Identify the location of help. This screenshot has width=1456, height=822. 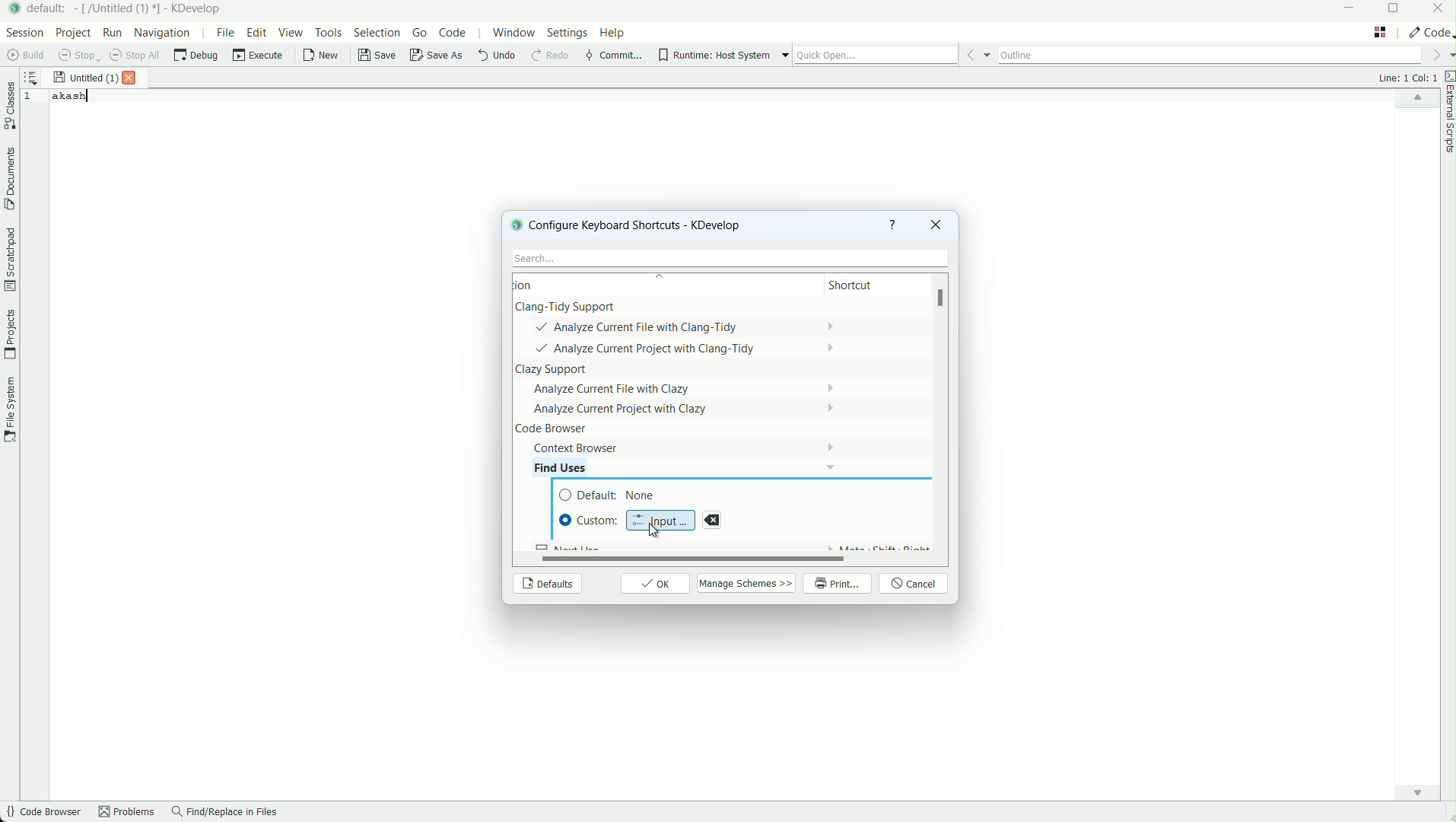
(893, 225).